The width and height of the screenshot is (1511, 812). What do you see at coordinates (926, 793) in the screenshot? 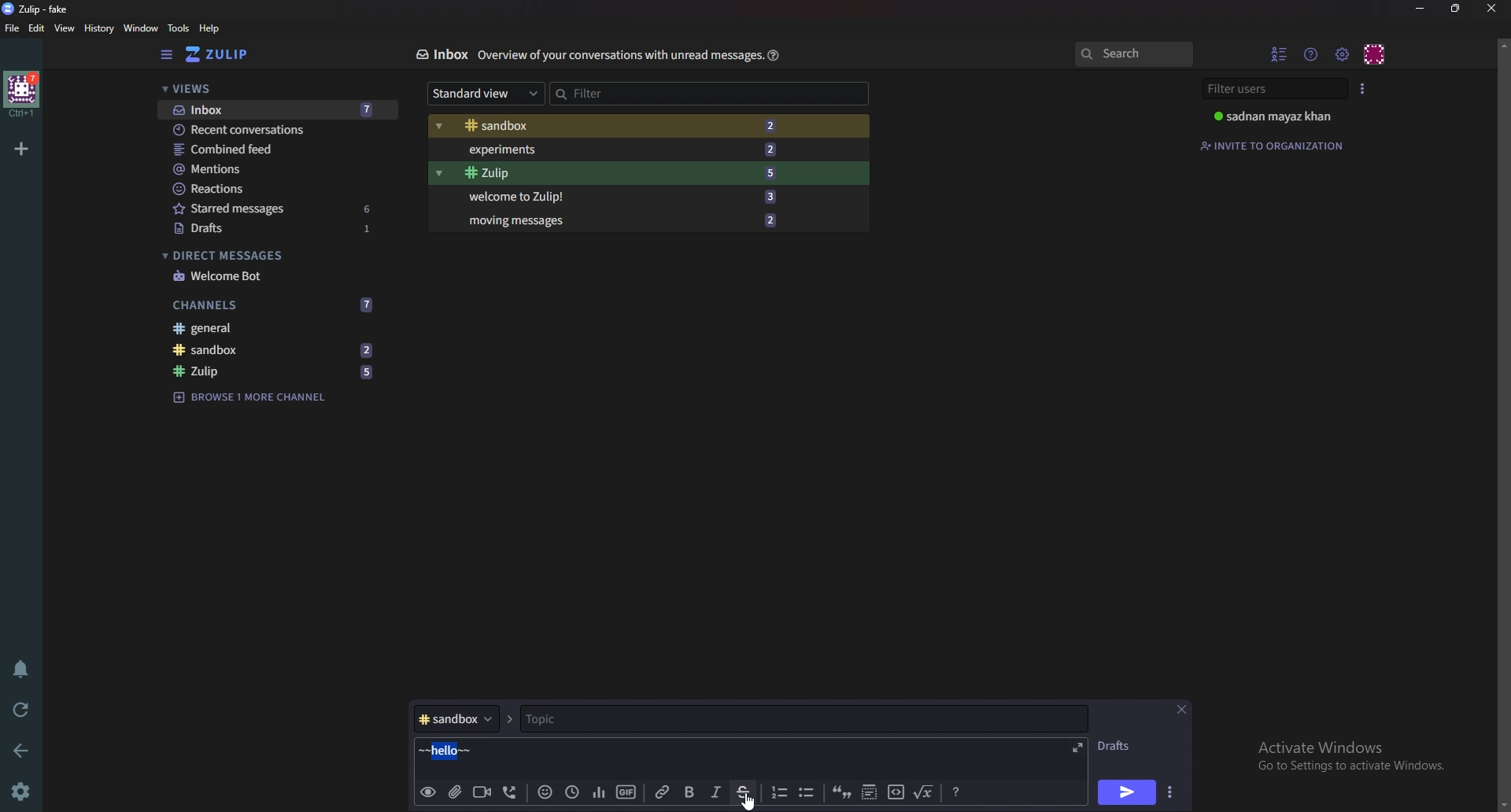
I see `Math` at bounding box center [926, 793].